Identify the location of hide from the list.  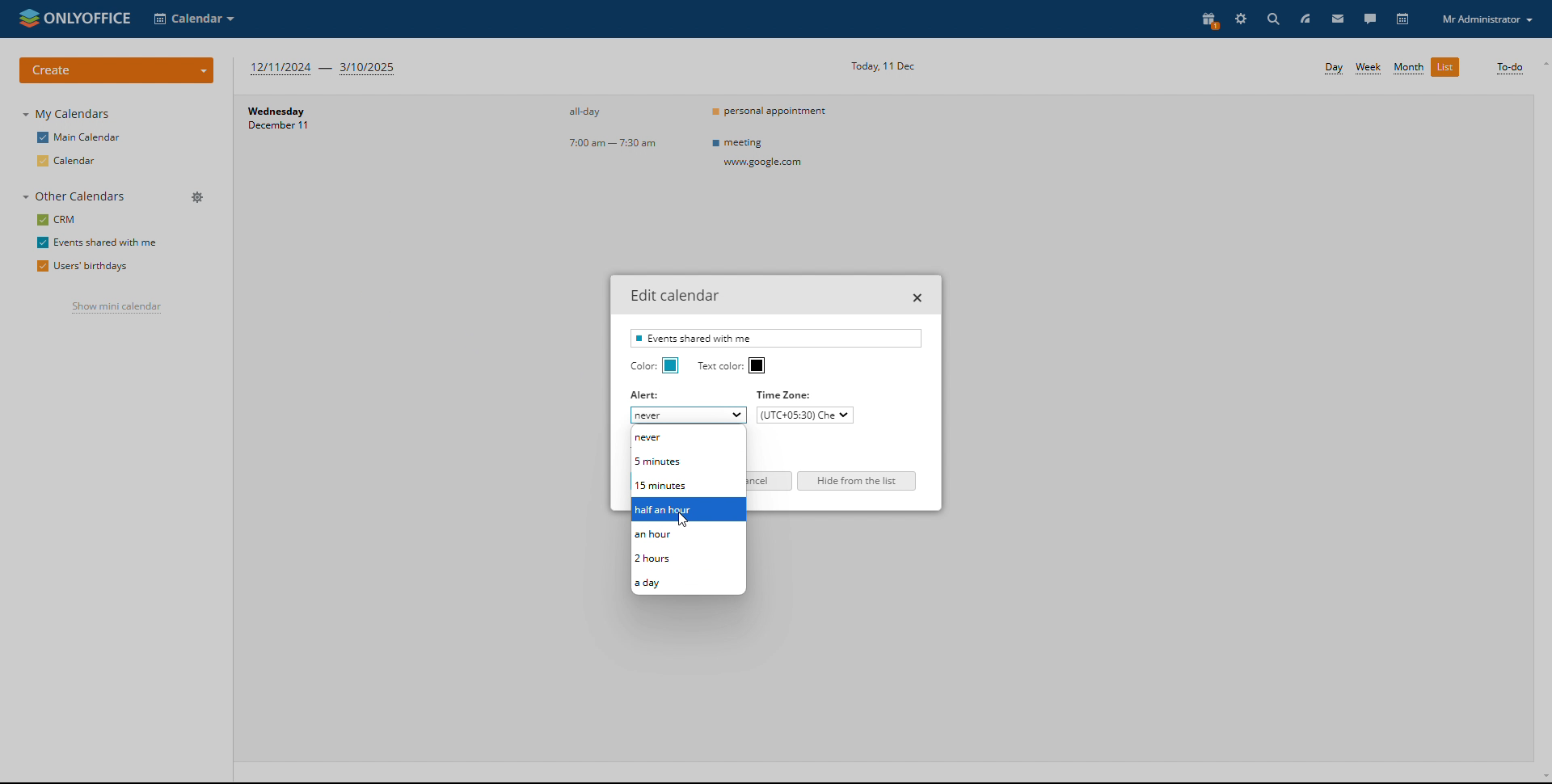
(857, 481).